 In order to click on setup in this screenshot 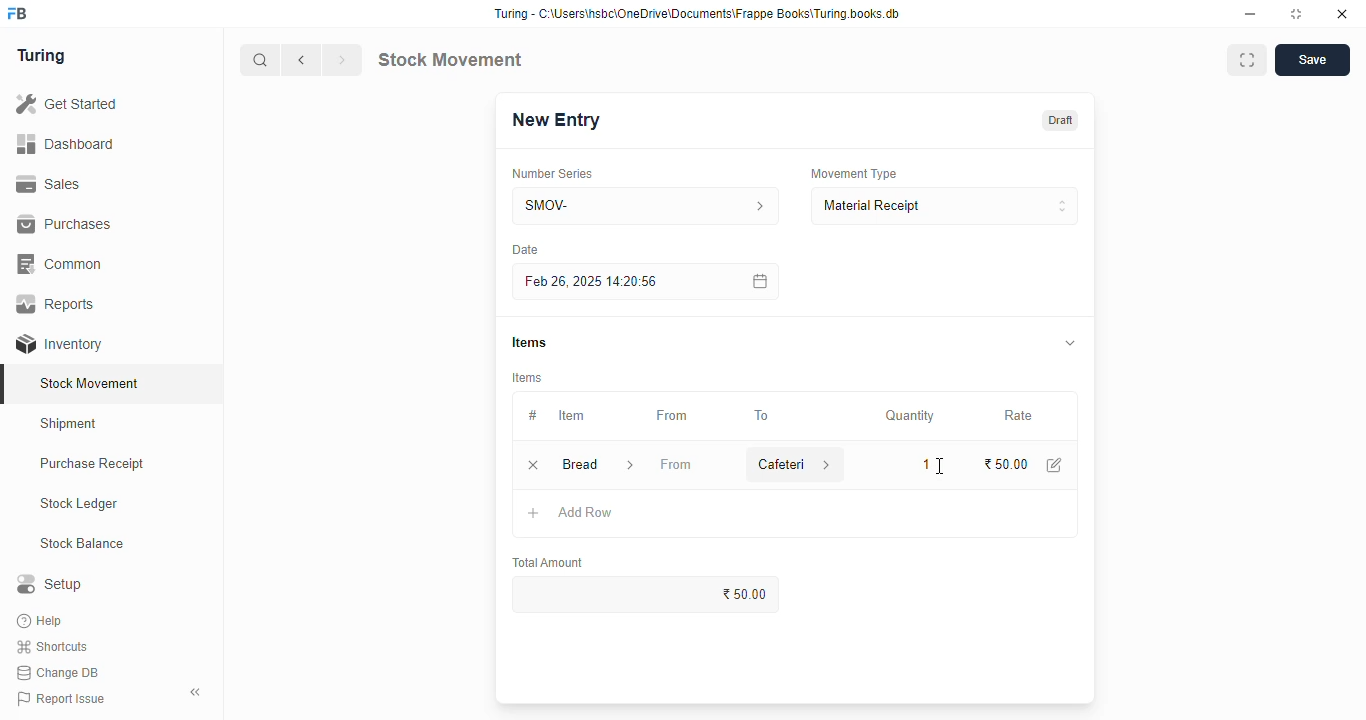, I will do `click(49, 583)`.